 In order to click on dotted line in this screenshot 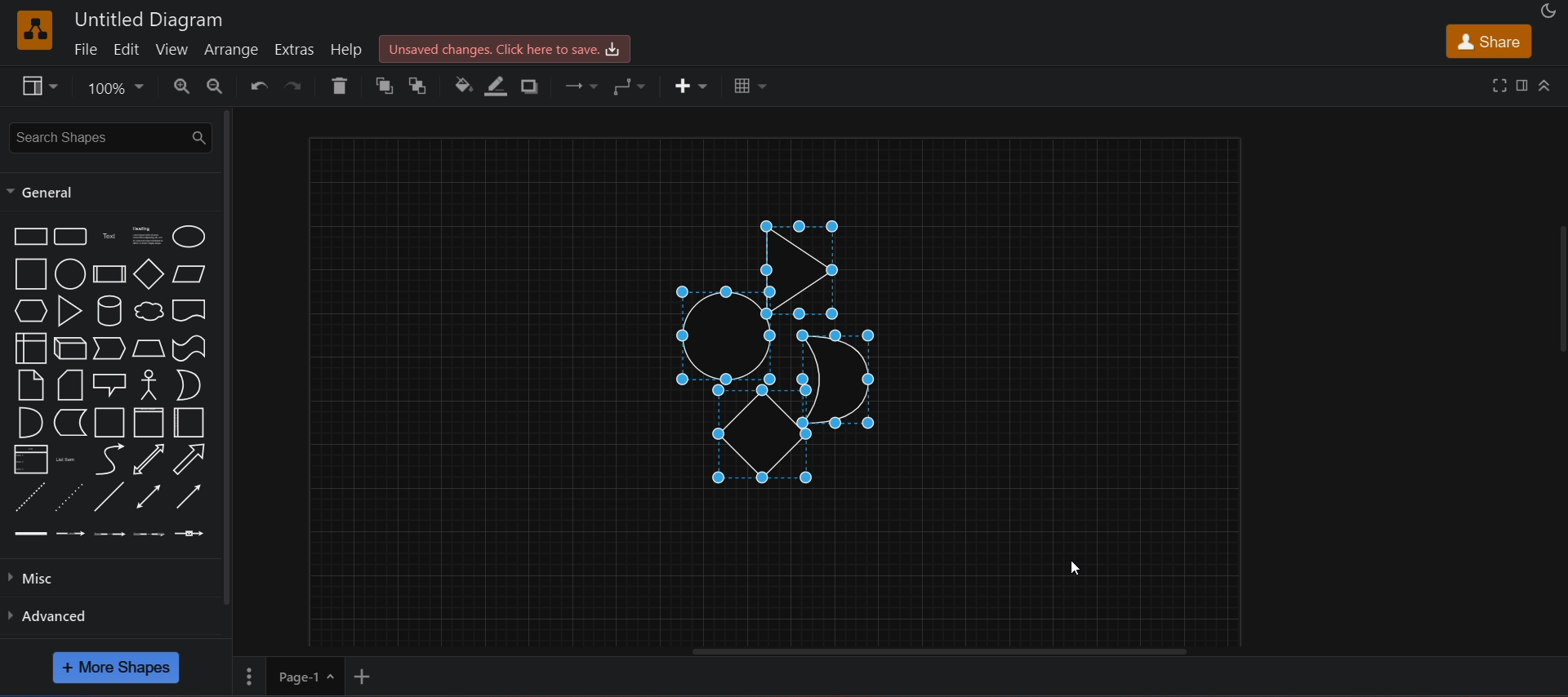, I will do `click(70, 496)`.